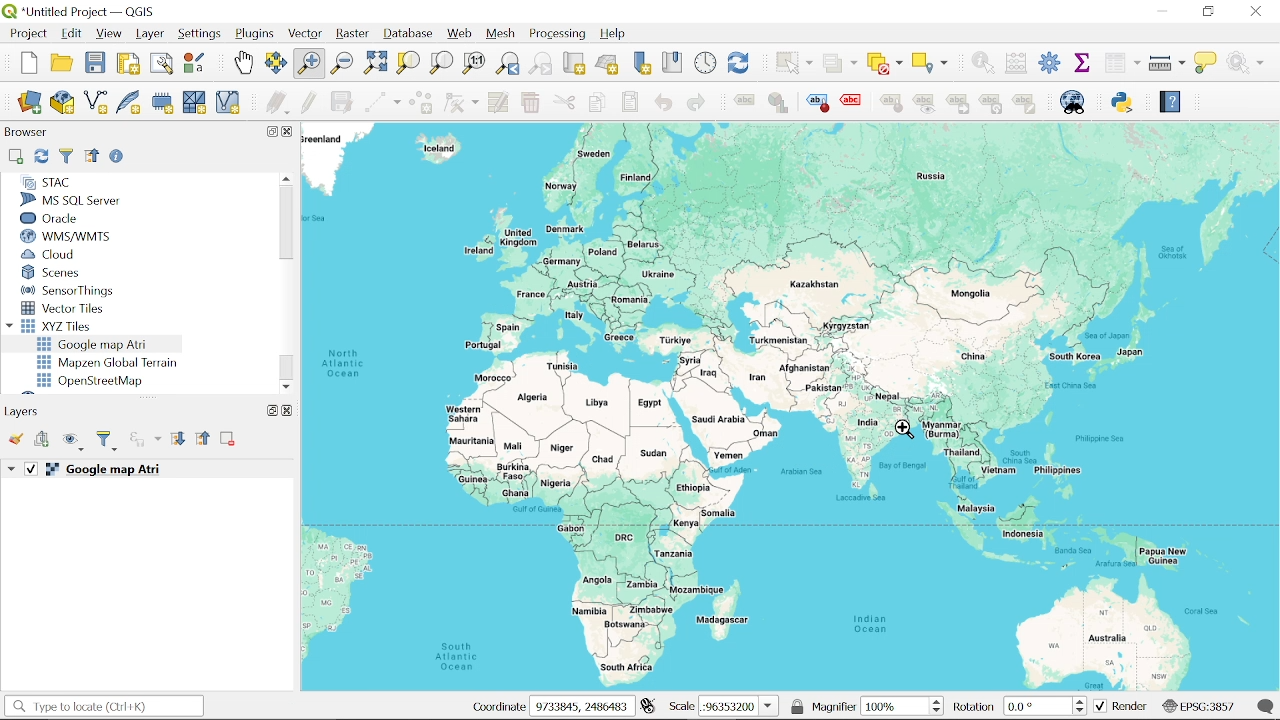 The height and width of the screenshot is (720, 1280). I want to click on New spatial lite layer, so click(129, 104).